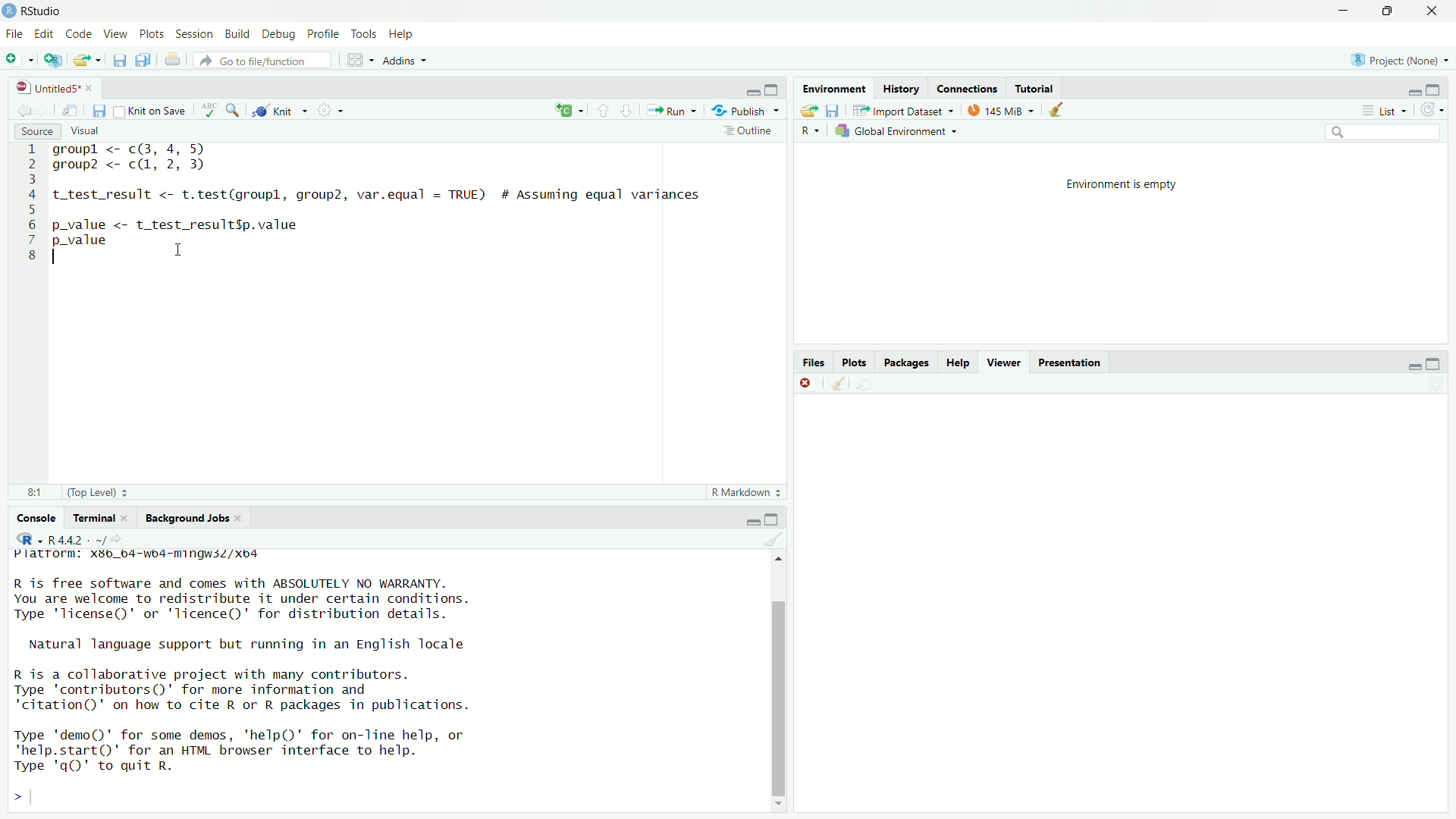 The width and height of the screenshot is (1456, 819). I want to click on (Top Level) =, so click(93, 492).